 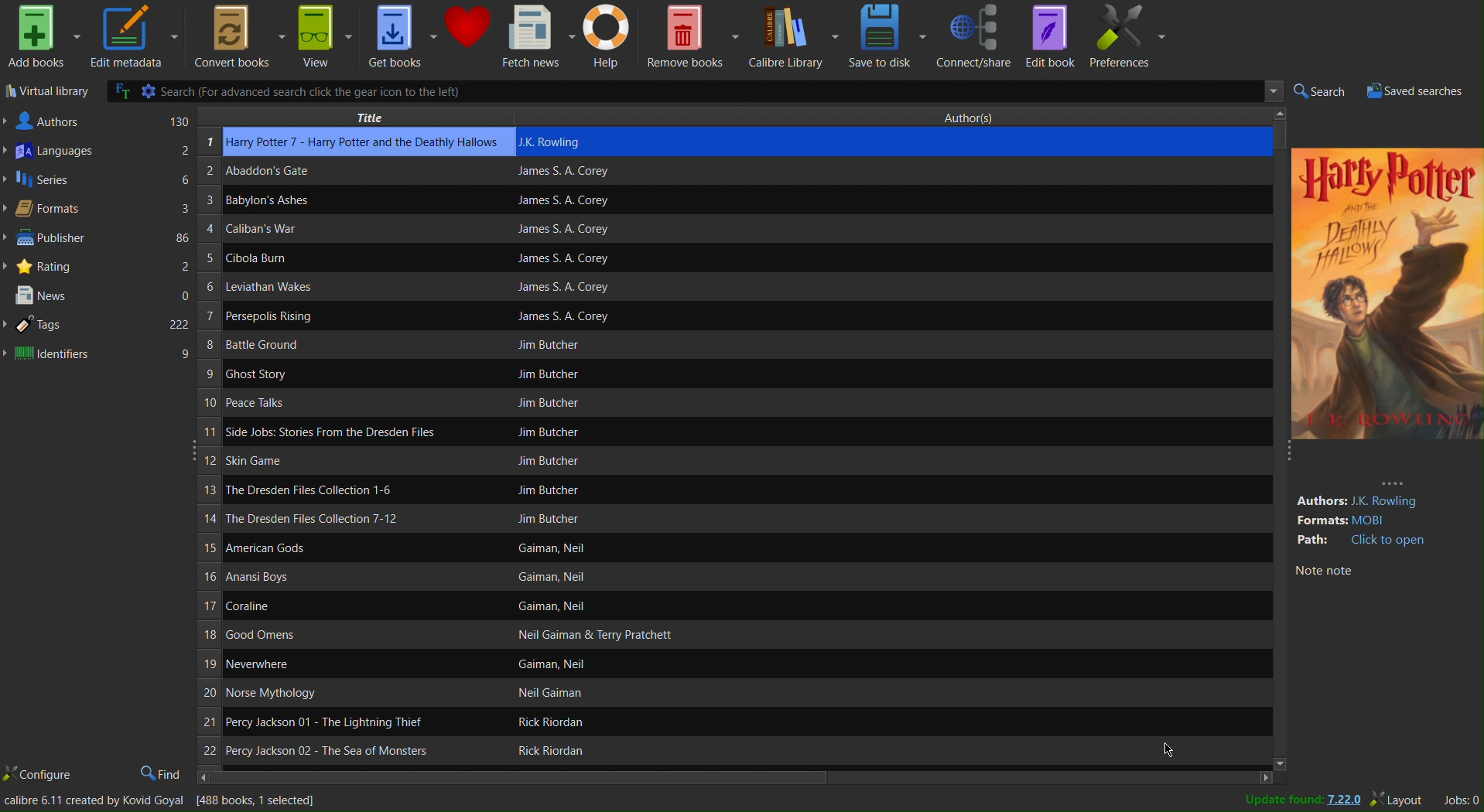 I want to click on Author’s name, so click(x=729, y=346).